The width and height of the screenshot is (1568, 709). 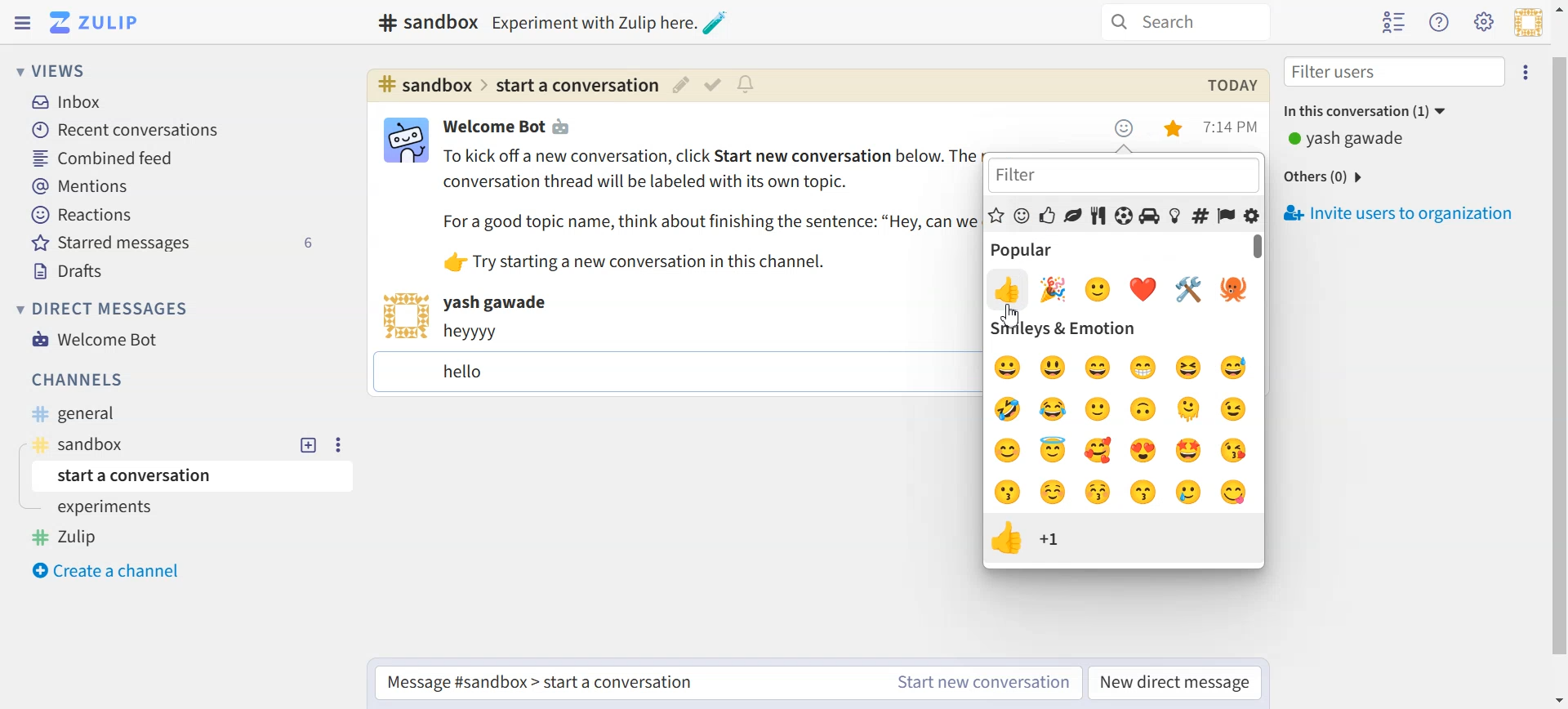 I want to click on emoji, so click(x=1142, y=286).